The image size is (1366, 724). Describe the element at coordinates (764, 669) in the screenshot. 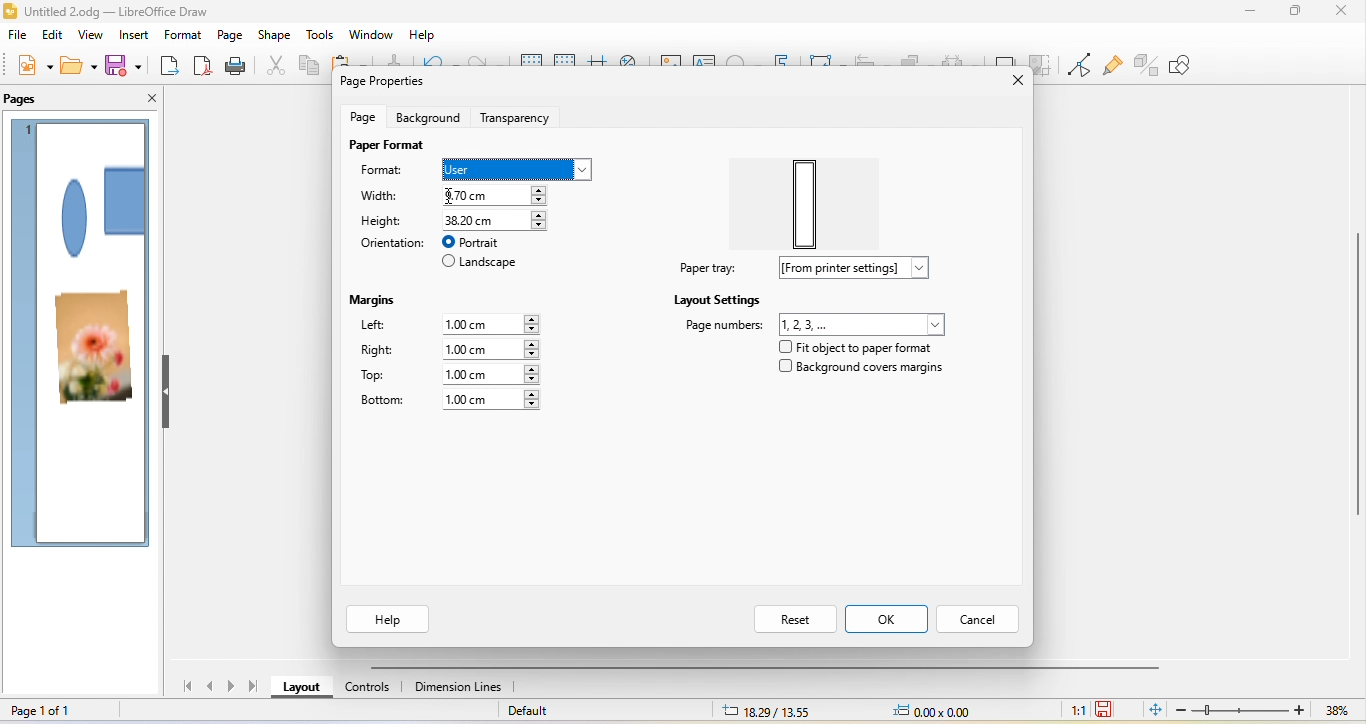

I see `horizontal scroll bar` at that location.